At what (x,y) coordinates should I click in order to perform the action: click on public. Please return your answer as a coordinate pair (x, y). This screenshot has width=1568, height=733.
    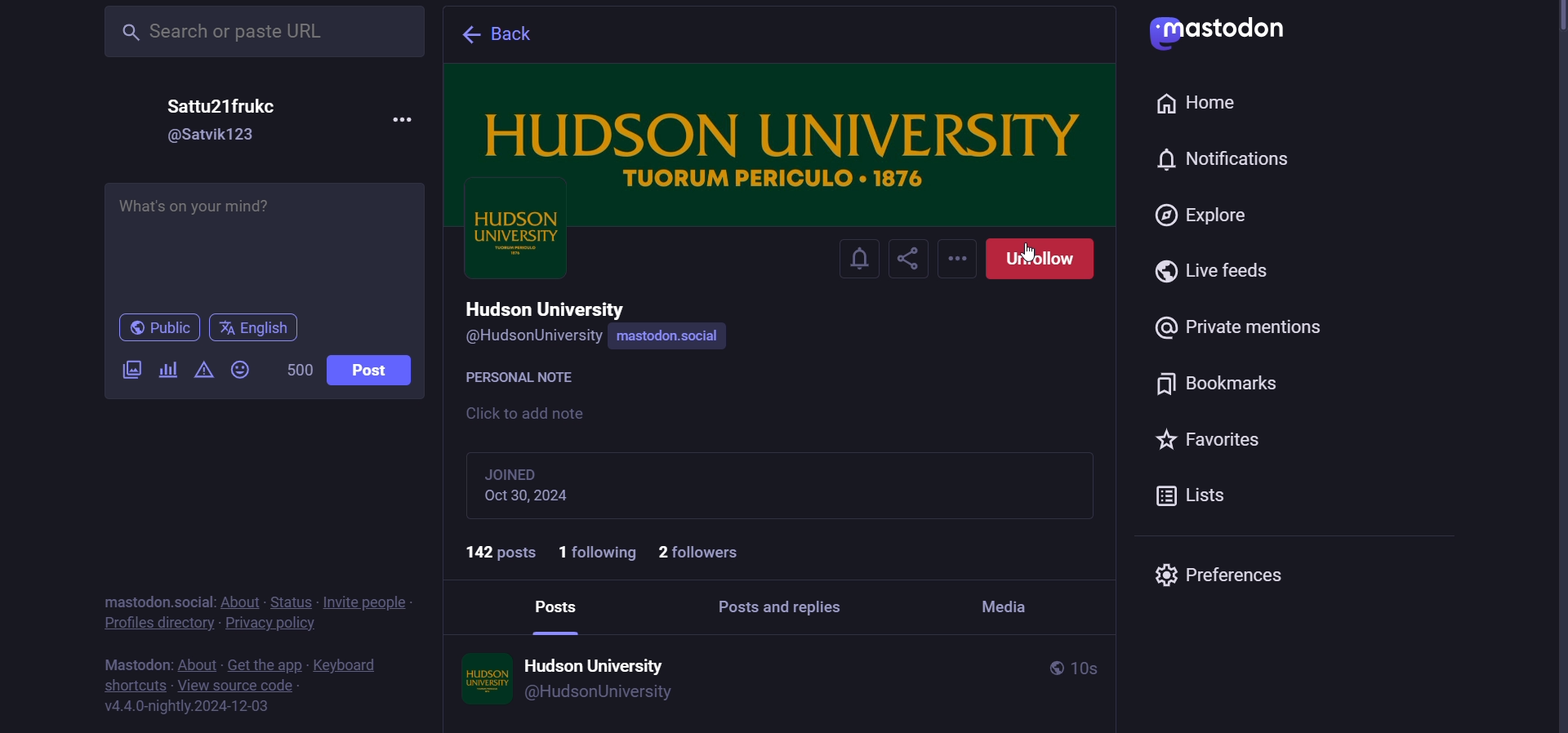
    Looking at the image, I should click on (1053, 668).